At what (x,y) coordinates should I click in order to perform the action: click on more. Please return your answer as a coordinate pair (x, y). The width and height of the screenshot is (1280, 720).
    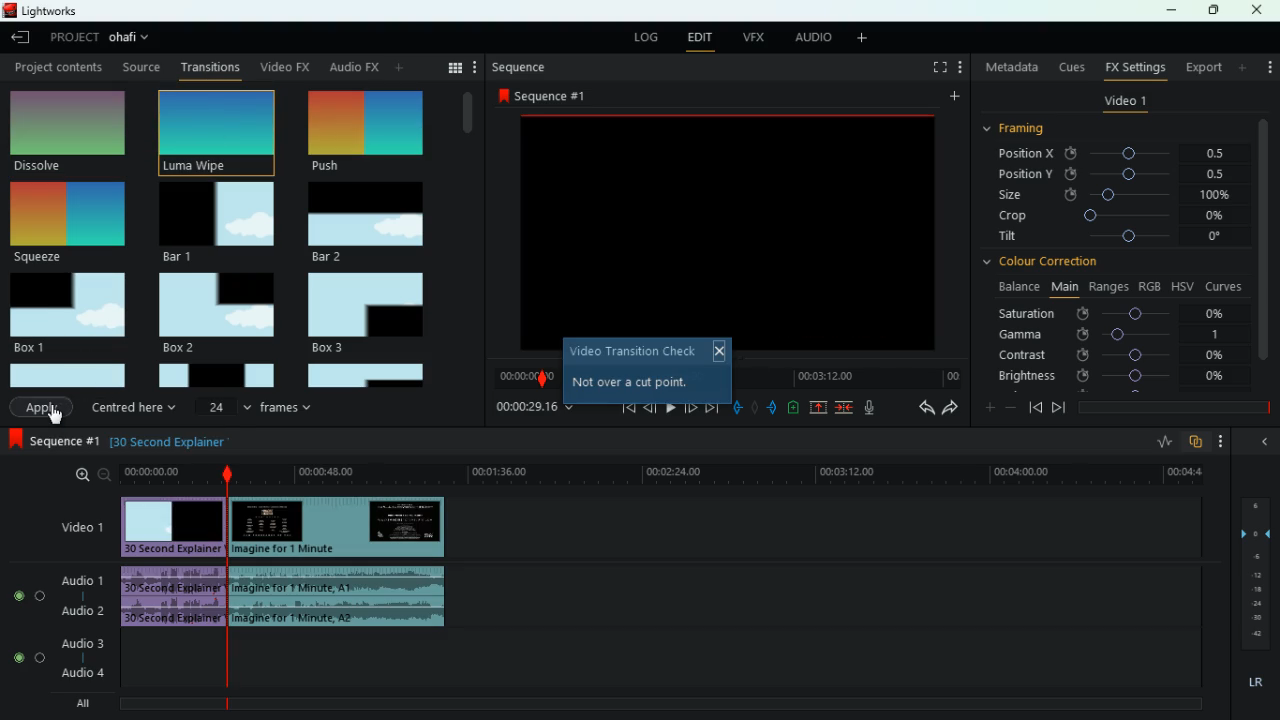
    Looking at the image, I should click on (1226, 441).